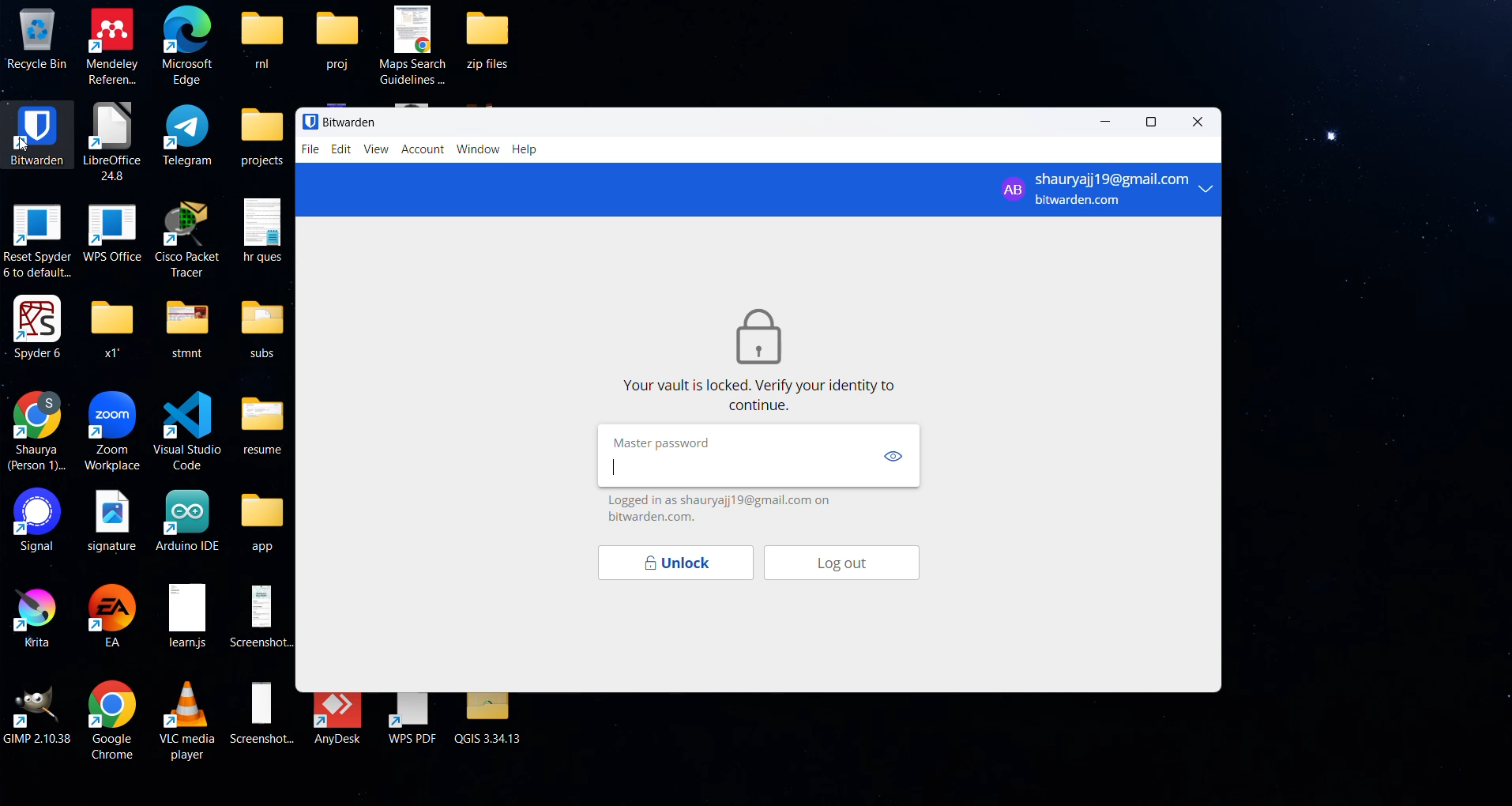 This screenshot has height=806, width=1512. What do you see at coordinates (110, 326) in the screenshot?
I see `x1"` at bounding box center [110, 326].